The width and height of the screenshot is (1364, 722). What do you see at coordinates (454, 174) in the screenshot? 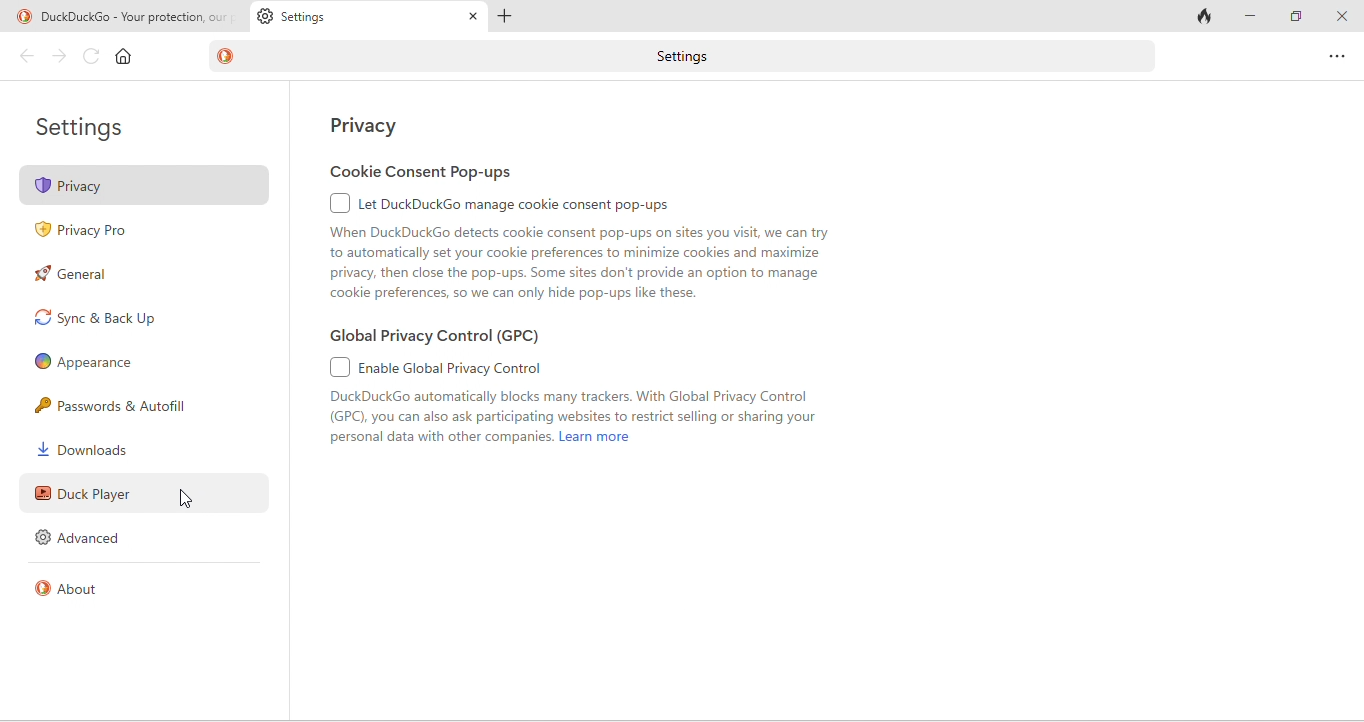
I see `cookie consent pop-ups` at bounding box center [454, 174].